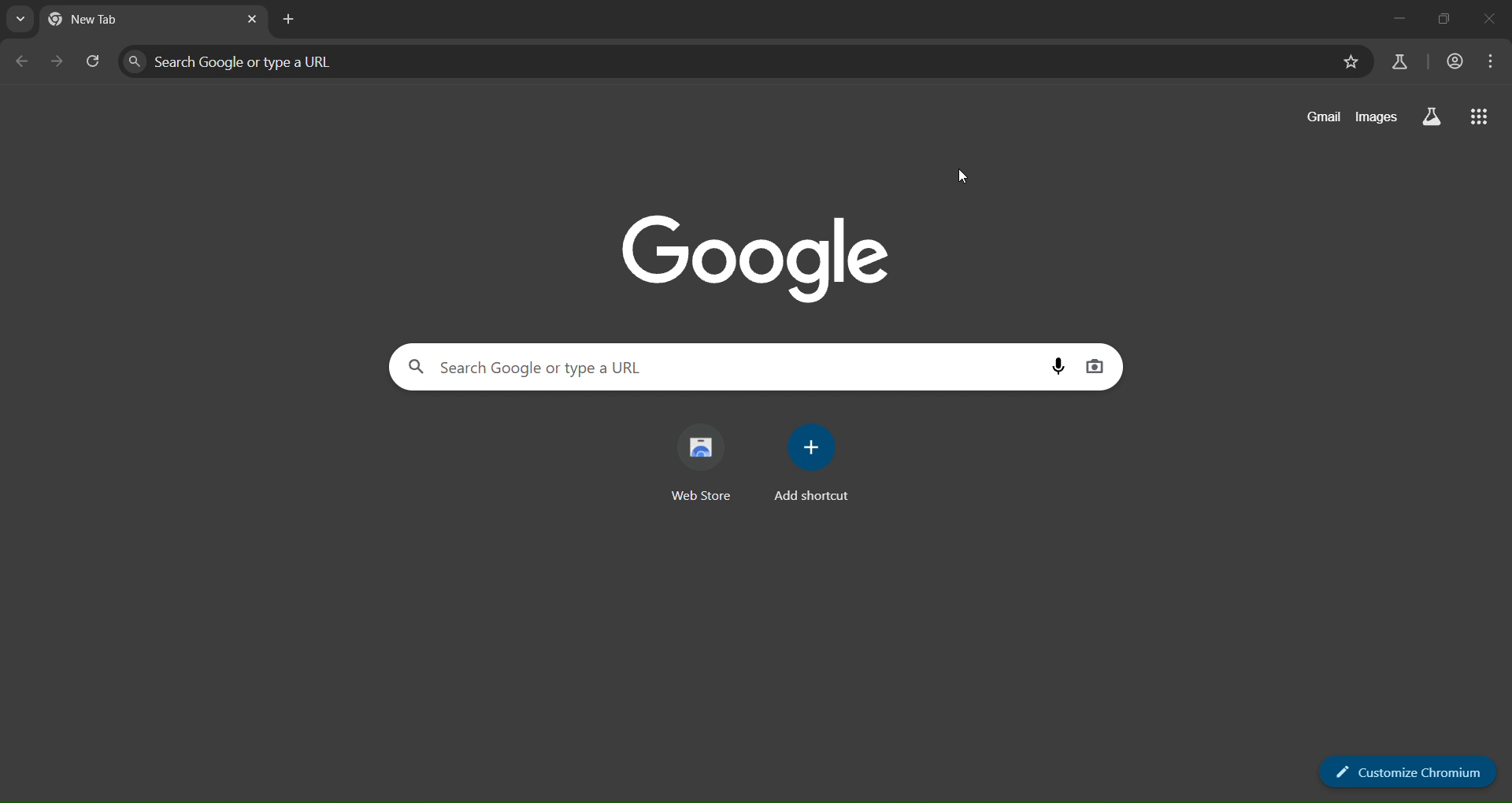 This screenshot has width=1512, height=803. Describe the element at coordinates (1443, 18) in the screenshot. I see `minimise` at that location.